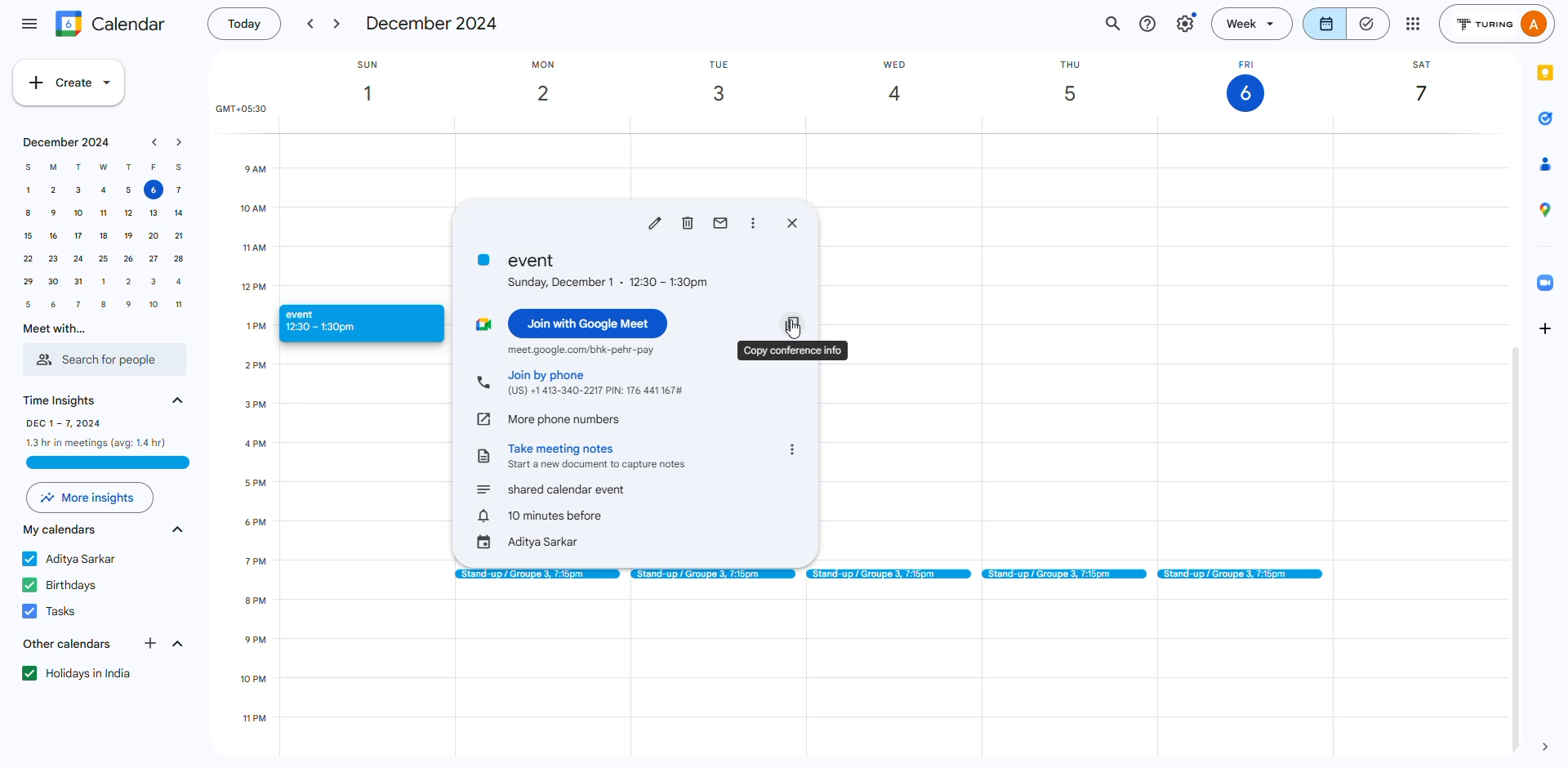  I want to click on app, so click(1546, 74).